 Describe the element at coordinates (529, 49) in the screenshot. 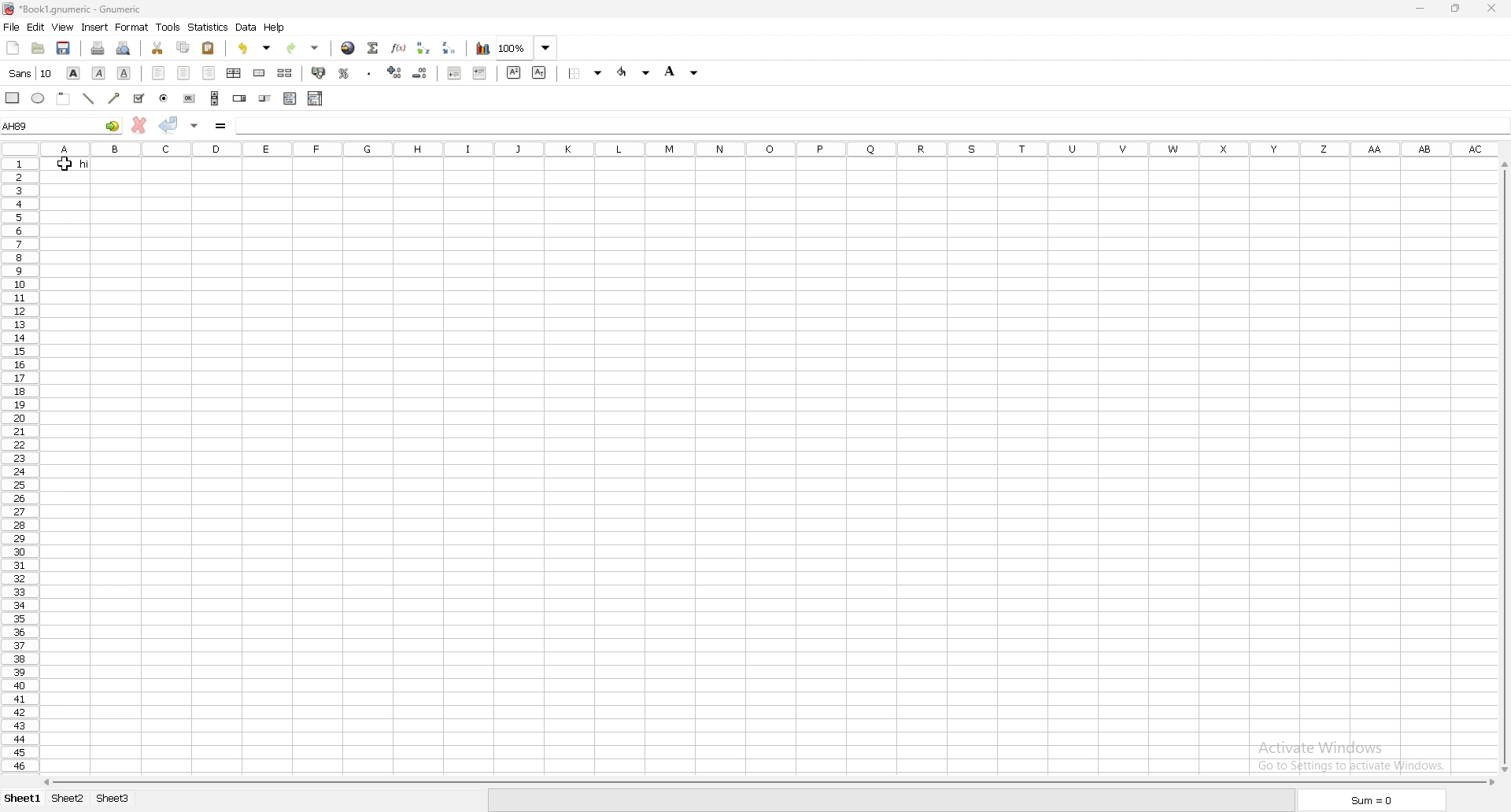

I see `zoom` at that location.